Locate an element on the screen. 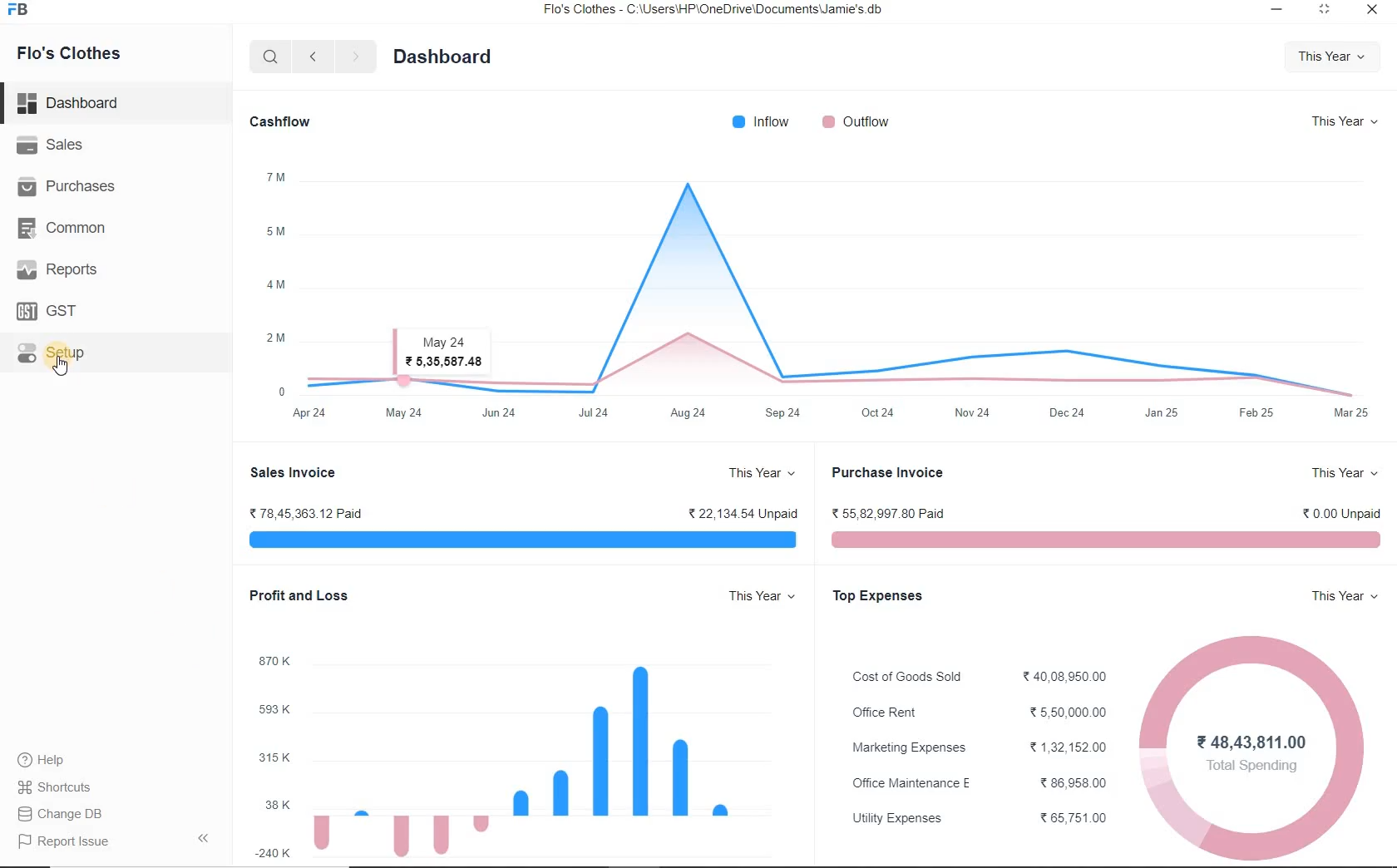 This screenshot has height=868, width=1397. Sales is located at coordinates (53, 145).